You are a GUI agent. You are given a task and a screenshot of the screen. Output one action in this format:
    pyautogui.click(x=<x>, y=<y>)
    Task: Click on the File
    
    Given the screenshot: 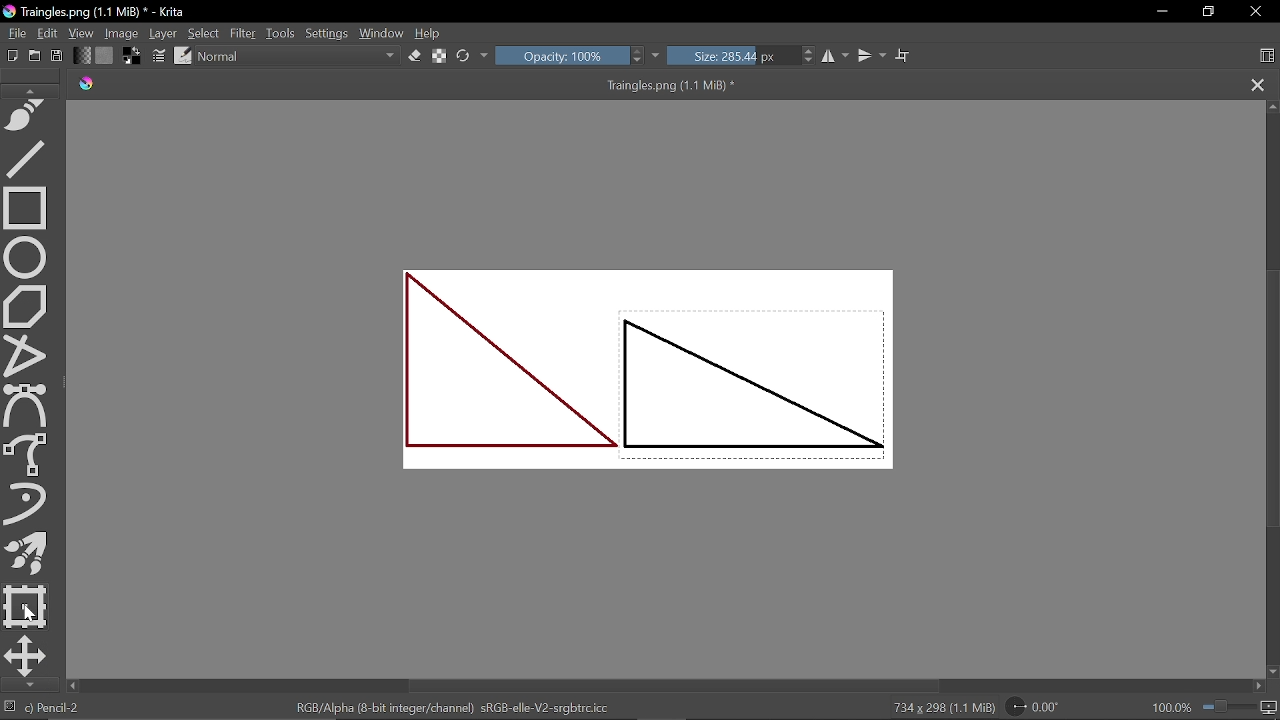 What is the action you would take?
    pyautogui.click(x=14, y=33)
    